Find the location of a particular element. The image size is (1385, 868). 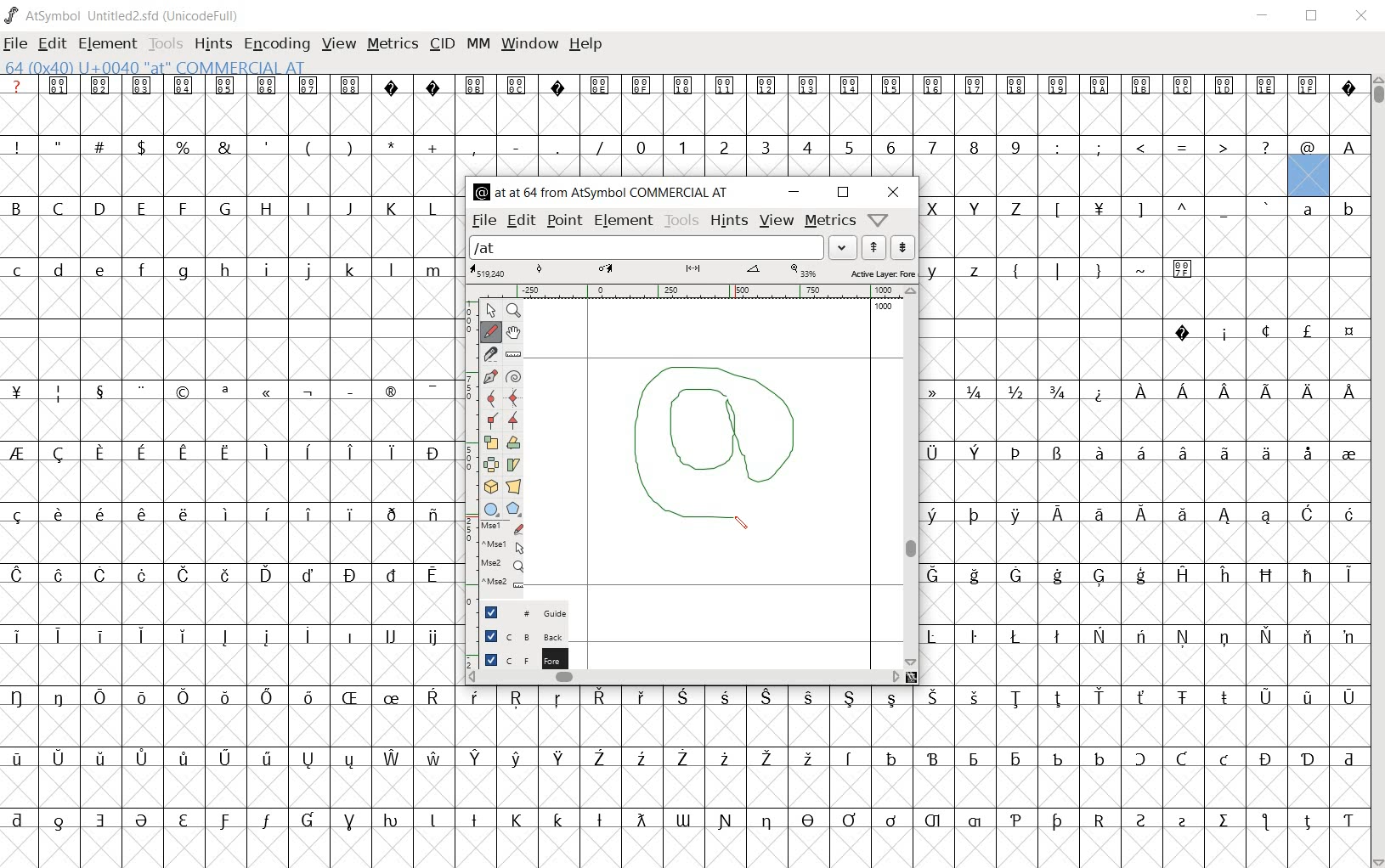

close is located at coordinates (893, 192).